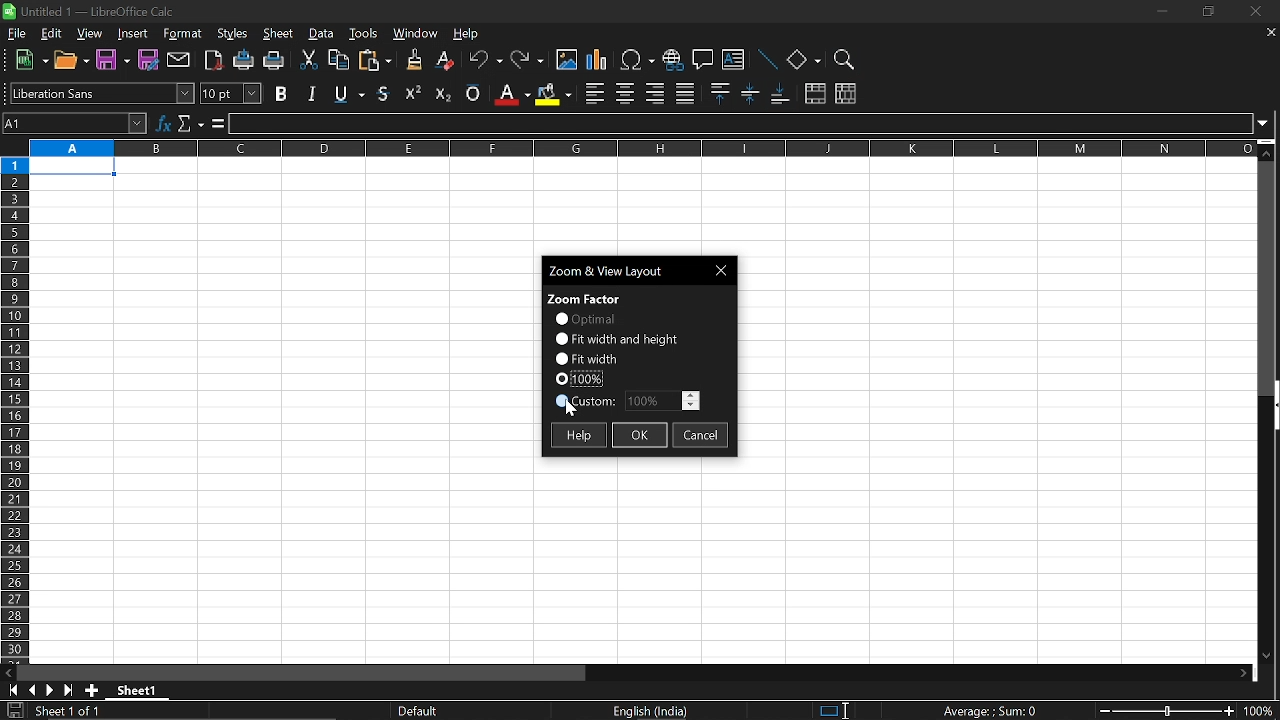 This screenshot has width=1280, height=720. I want to click on clone formatting, so click(410, 59).